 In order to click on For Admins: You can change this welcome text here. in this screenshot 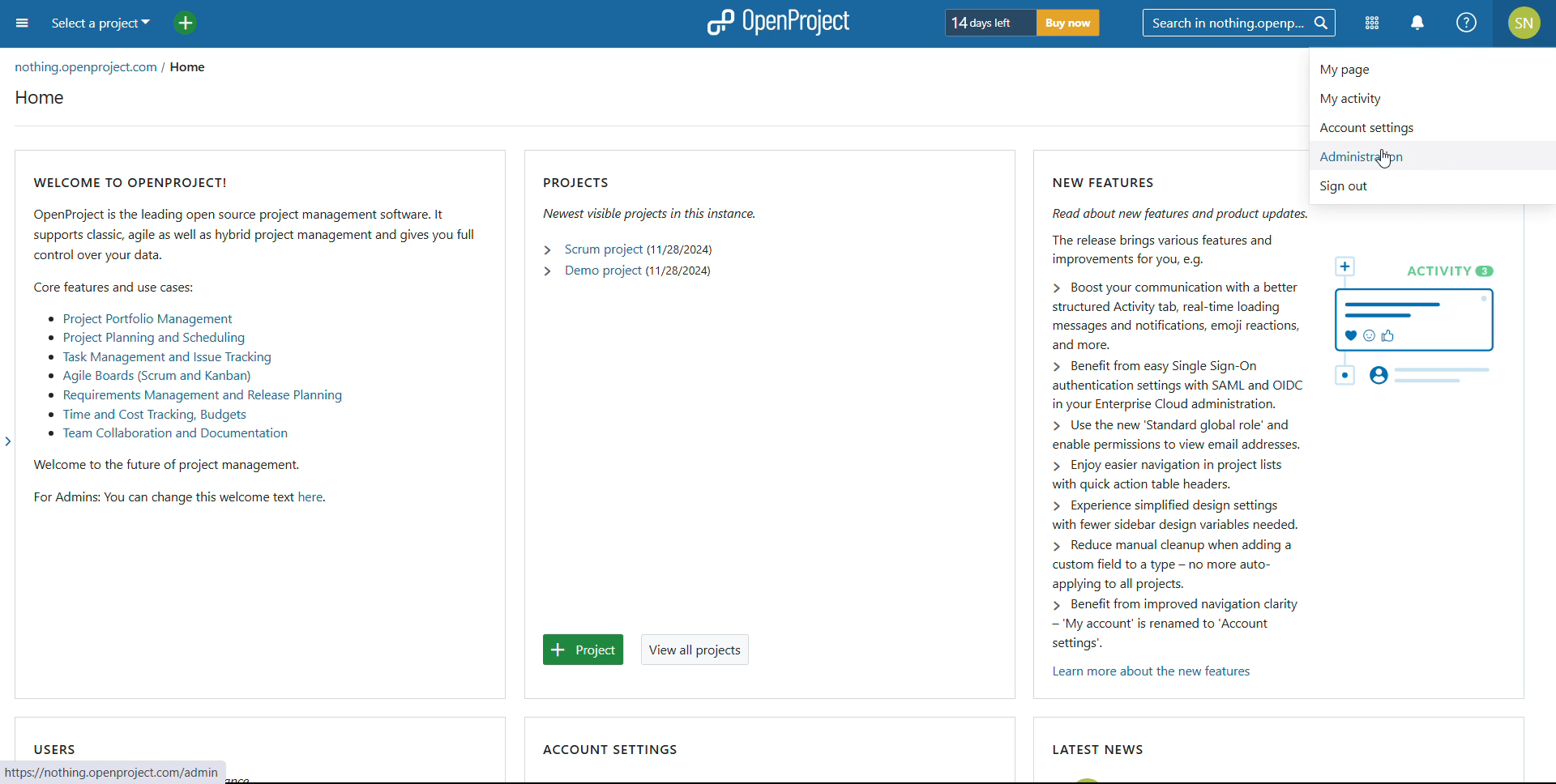, I will do `click(175, 500)`.